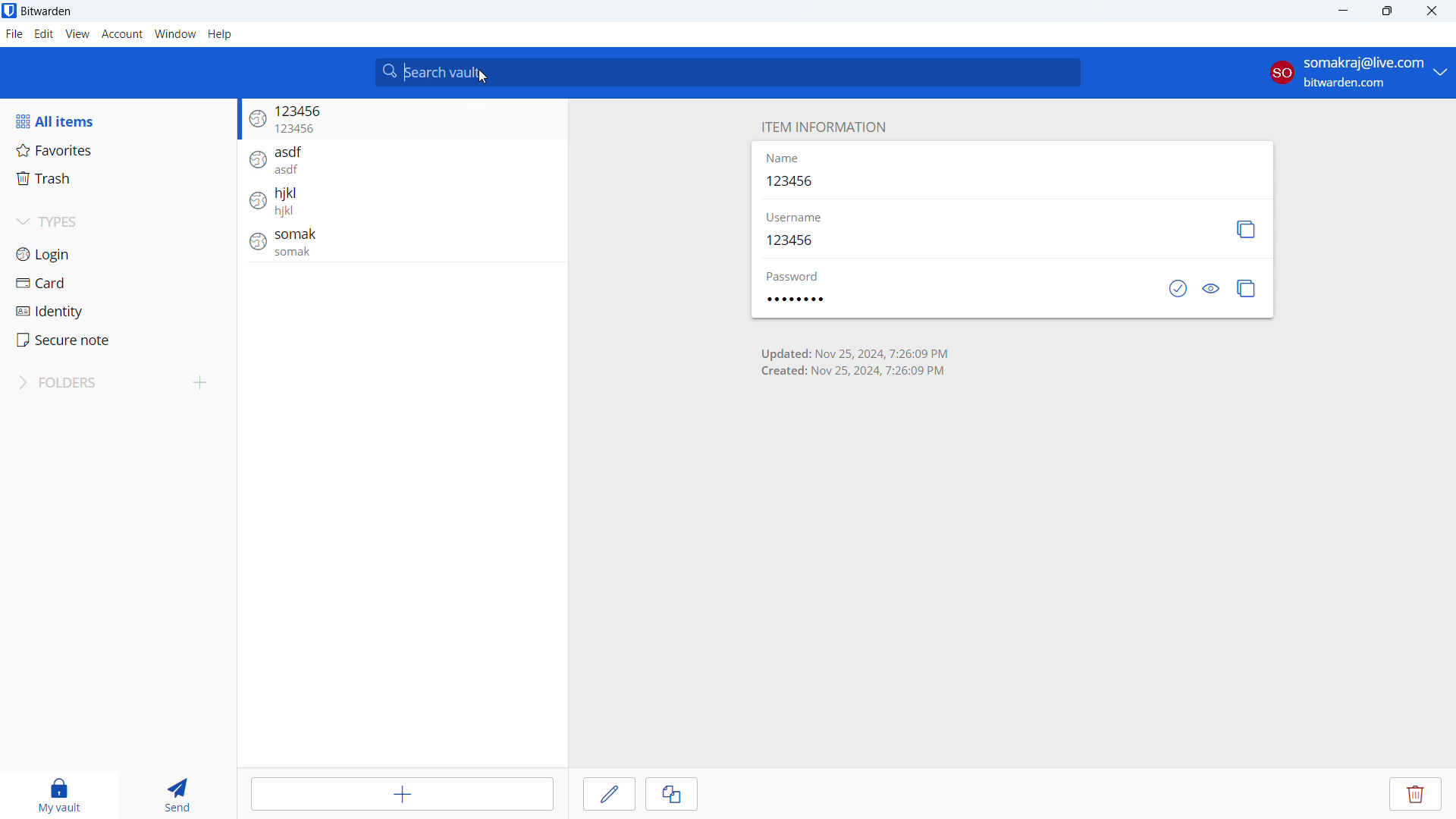  I want to click on login entry: hjkl, so click(397, 203).